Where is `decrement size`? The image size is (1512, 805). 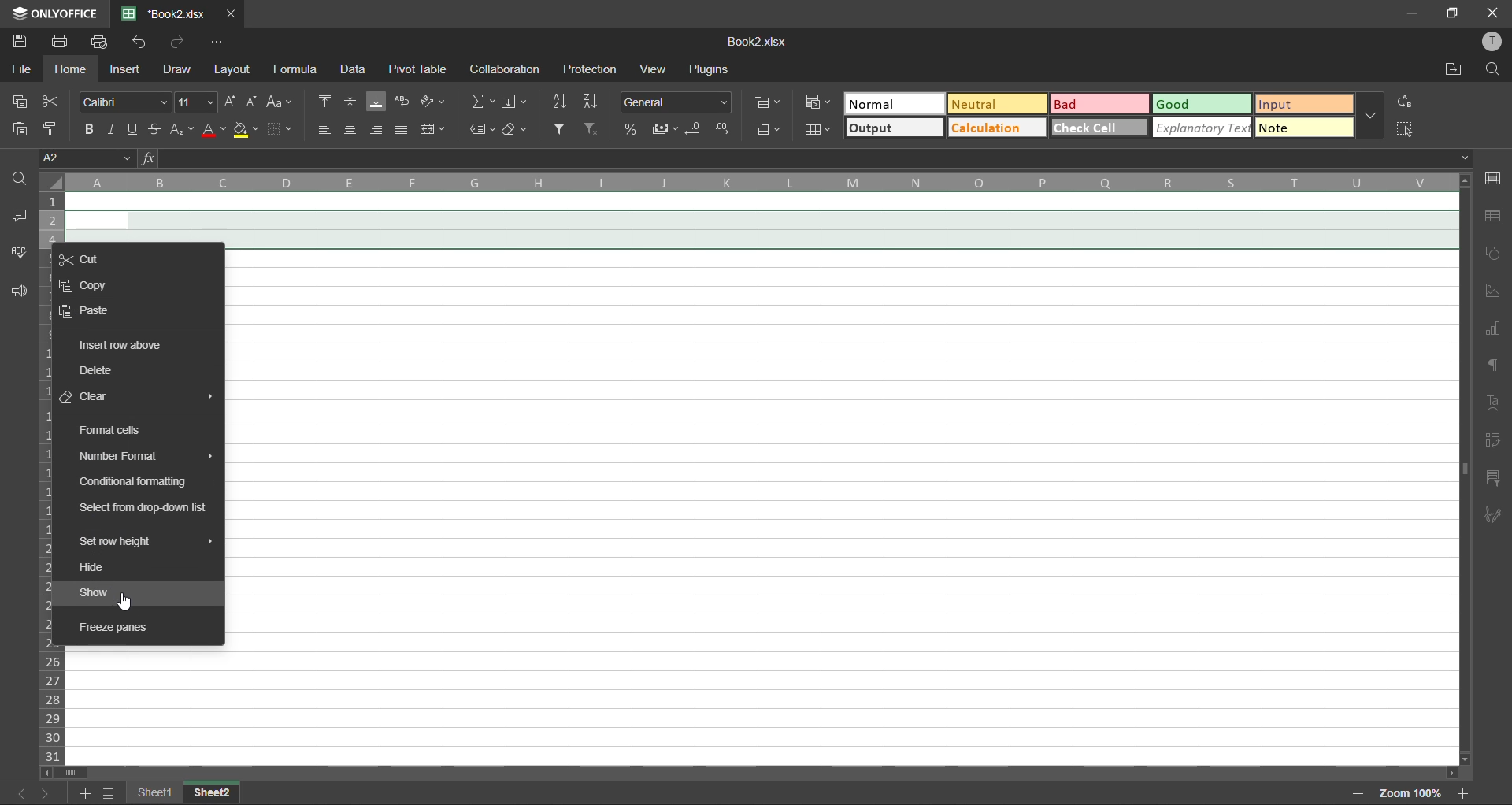 decrement size is located at coordinates (253, 101).